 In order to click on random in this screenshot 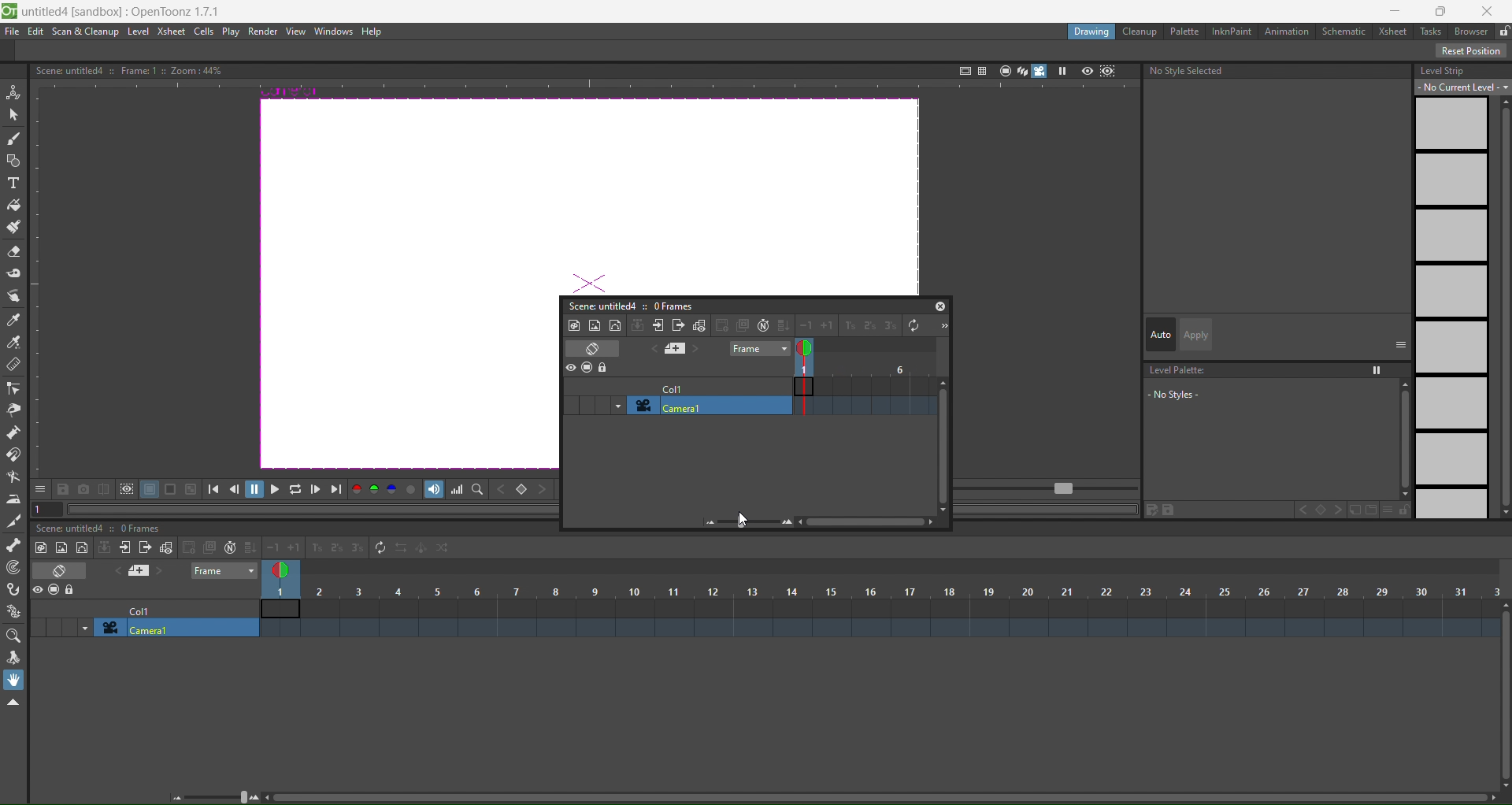, I will do `click(444, 548)`.